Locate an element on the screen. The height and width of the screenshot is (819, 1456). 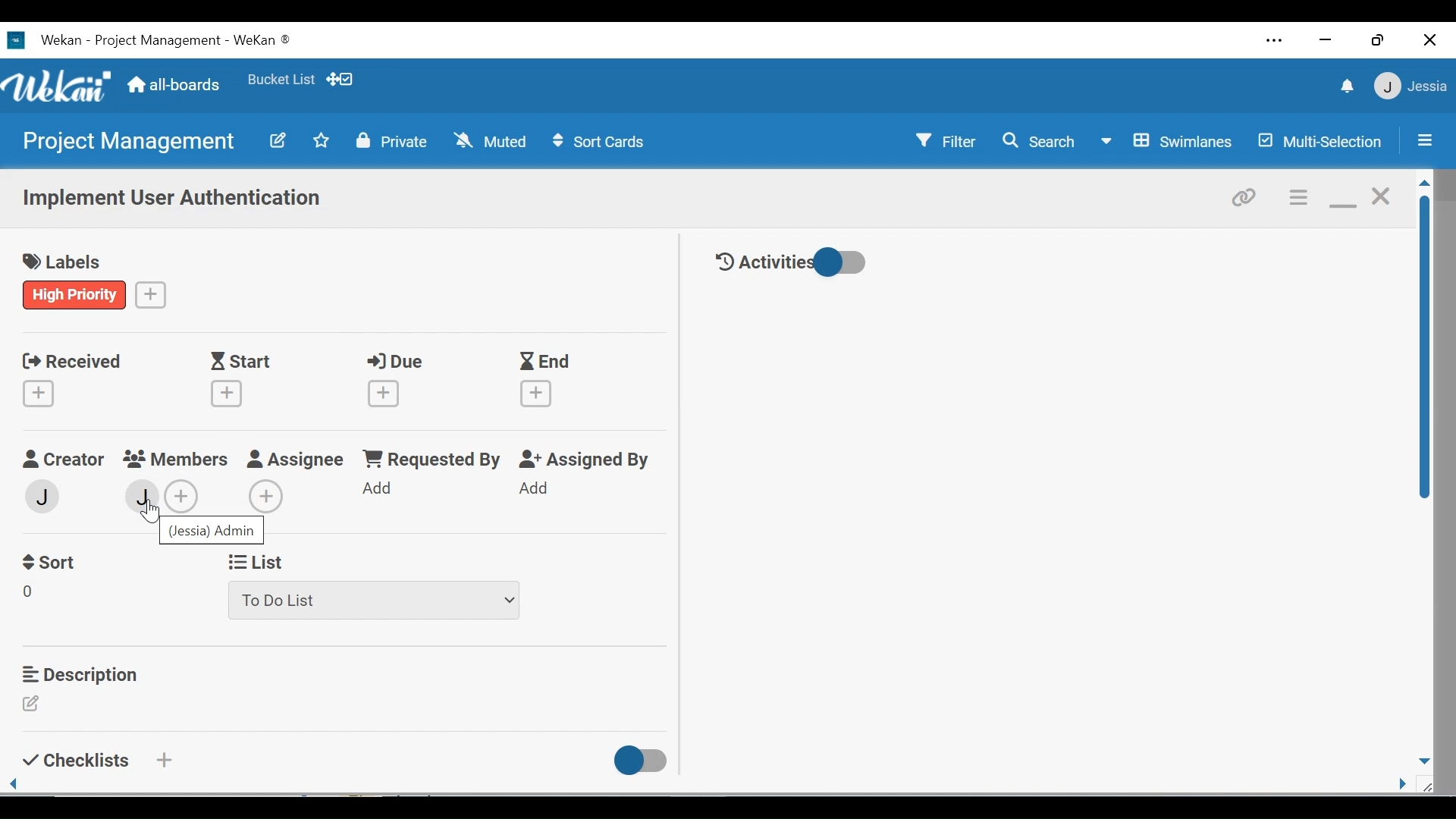
member menu is located at coordinates (1410, 86).